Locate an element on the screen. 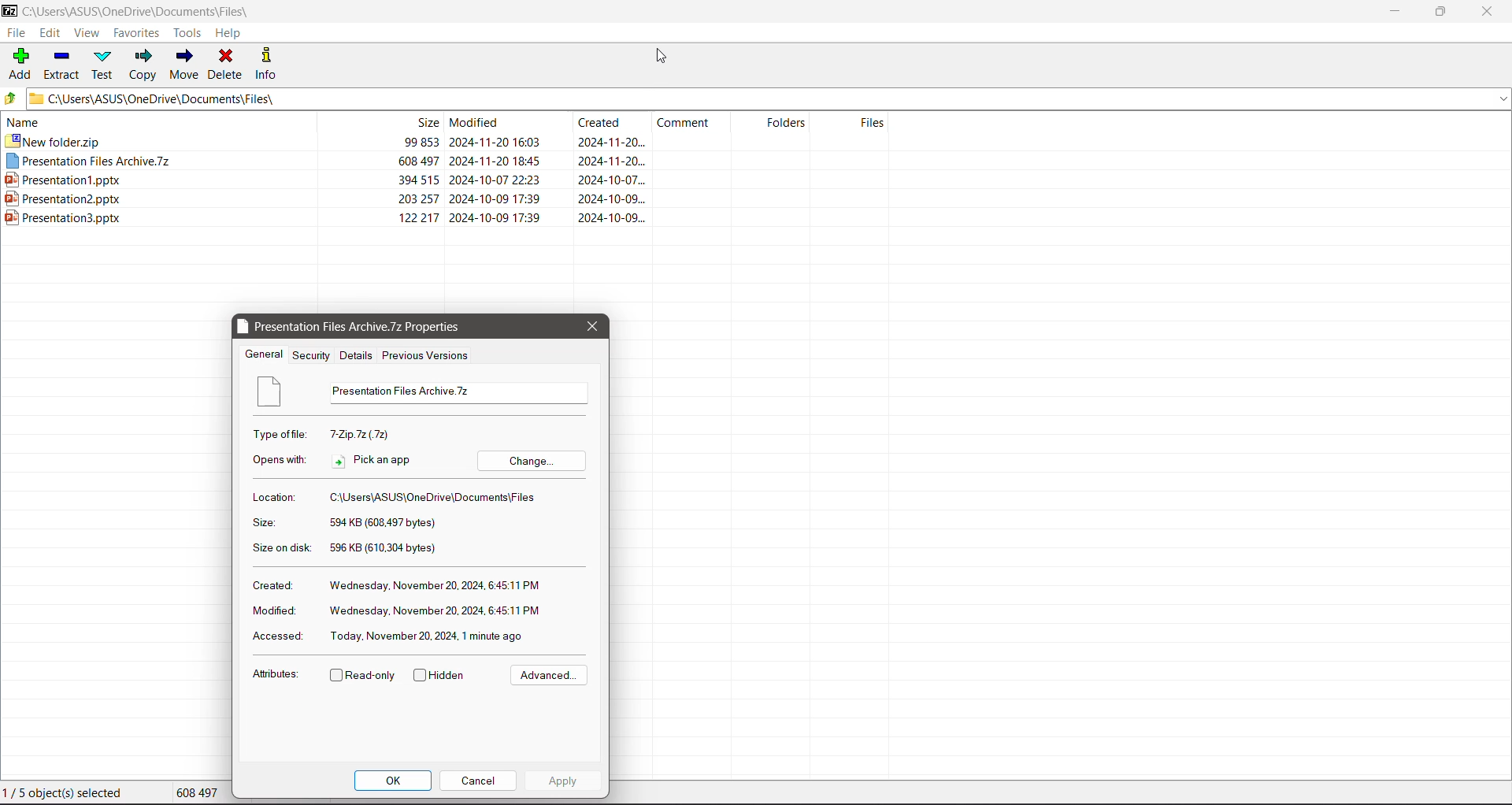 The width and height of the screenshot is (1512, 805). Current Folder Path is located at coordinates (150, 9).